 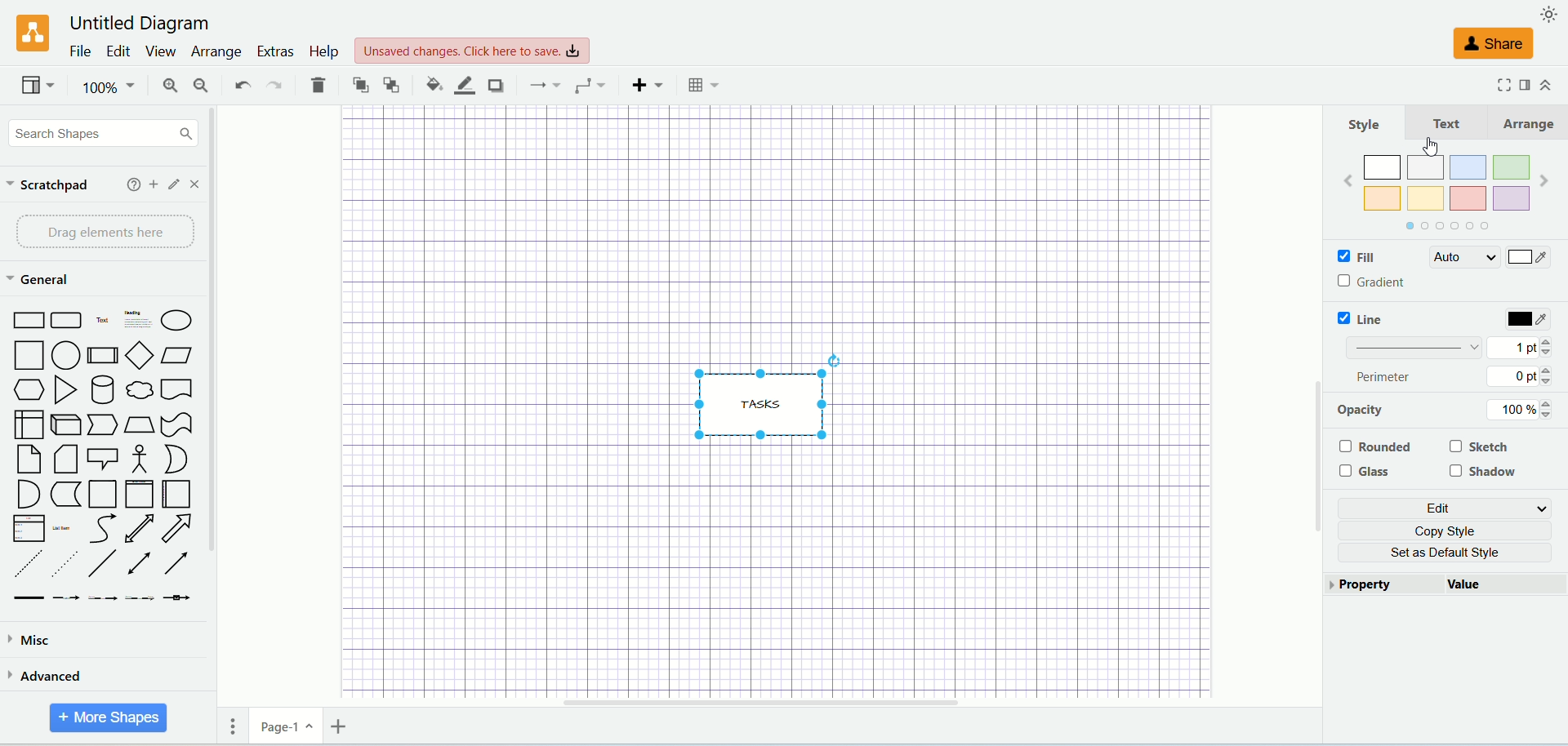 What do you see at coordinates (1388, 411) in the screenshot?
I see `opacity` at bounding box center [1388, 411].